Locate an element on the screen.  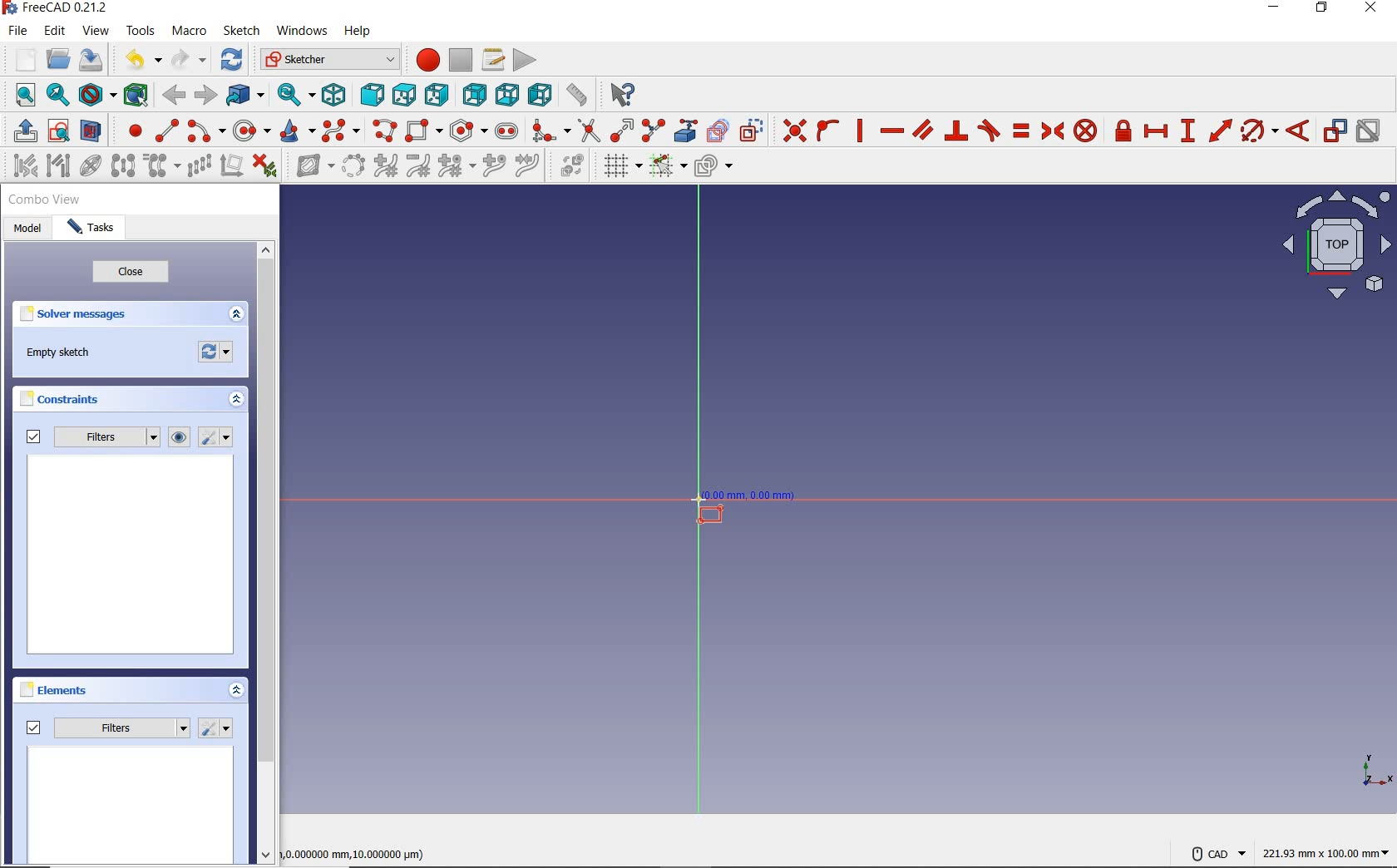
select associated constraints is located at coordinates (21, 167).